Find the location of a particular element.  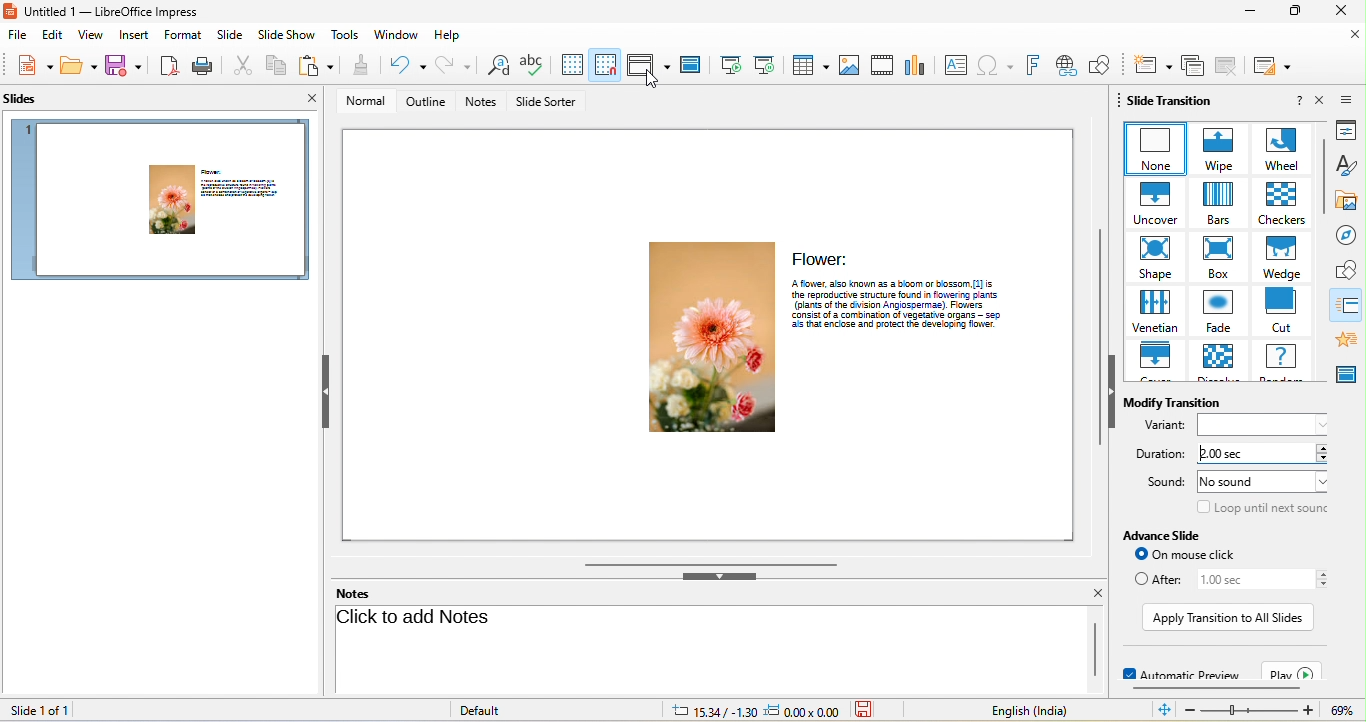

venetian is located at coordinates (1153, 312).